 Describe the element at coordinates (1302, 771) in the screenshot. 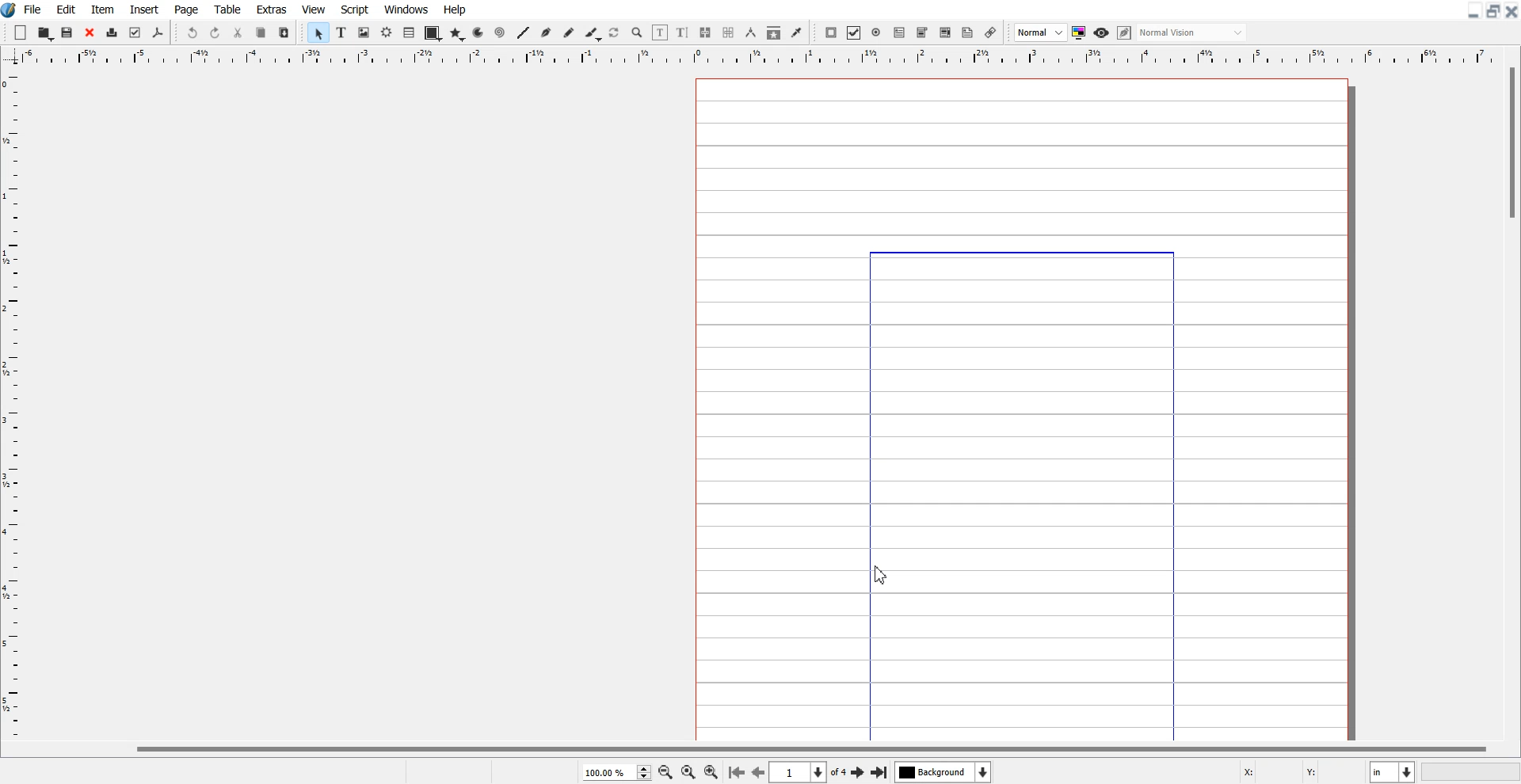

I see `X, Y Co-ordinate` at that location.